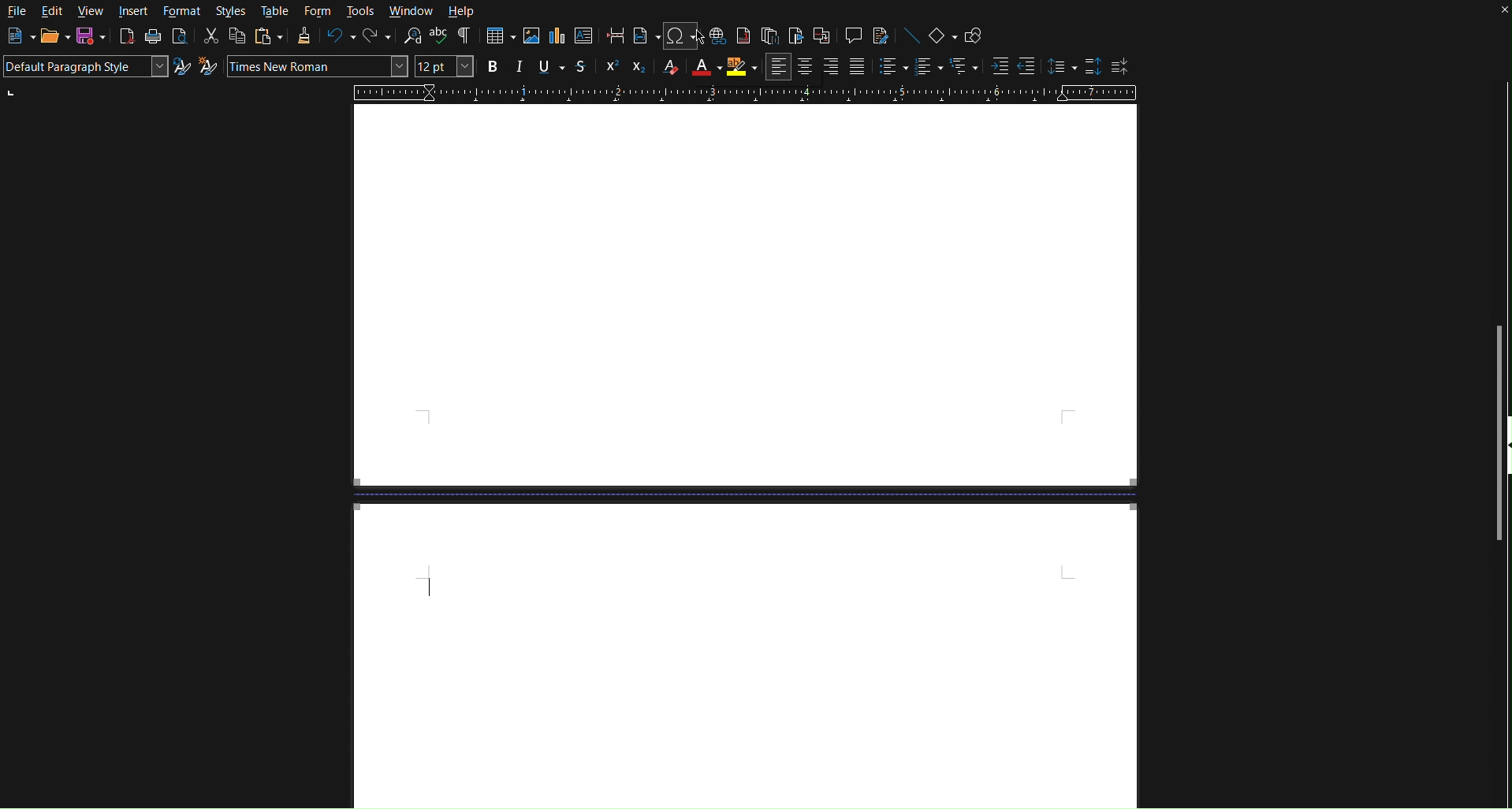 The width and height of the screenshot is (1512, 809). Describe the element at coordinates (1056, 67) in the screenshot. I see `Set Line Spacing` at that location.